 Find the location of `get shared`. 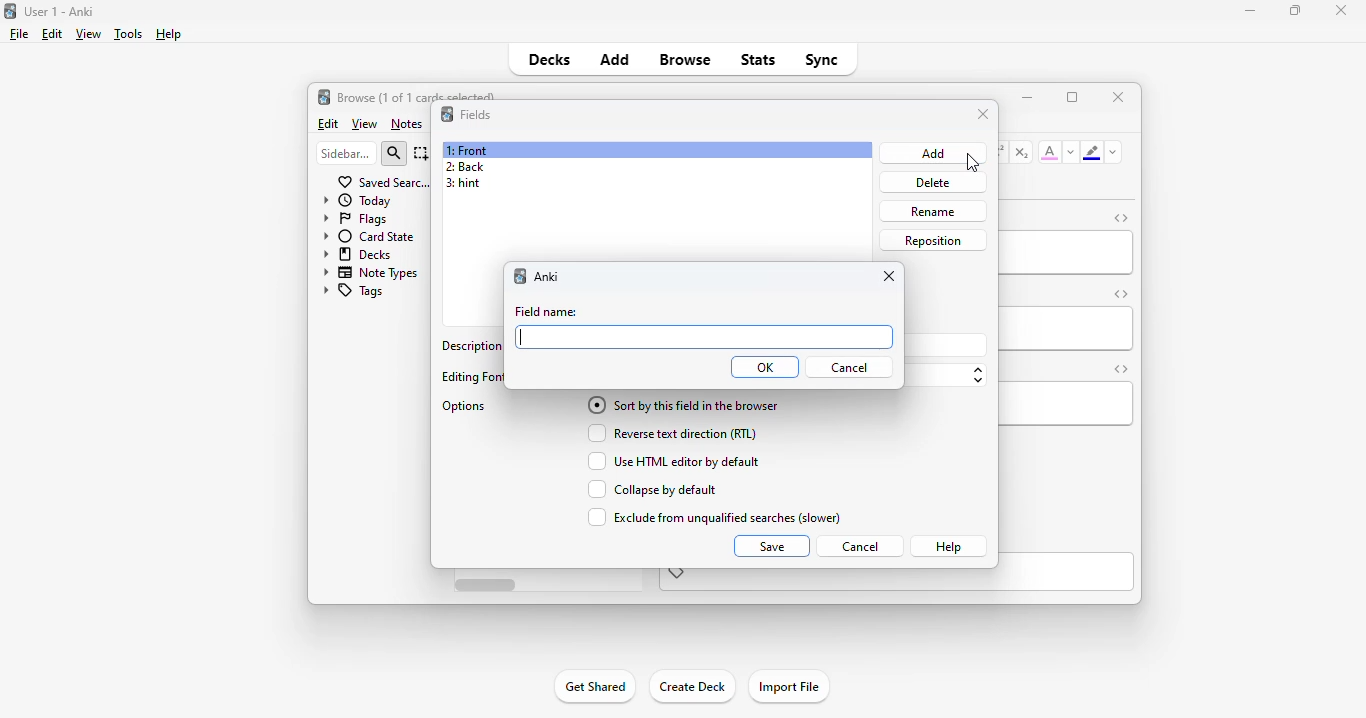

get shared is located at coordinates (594, 686).